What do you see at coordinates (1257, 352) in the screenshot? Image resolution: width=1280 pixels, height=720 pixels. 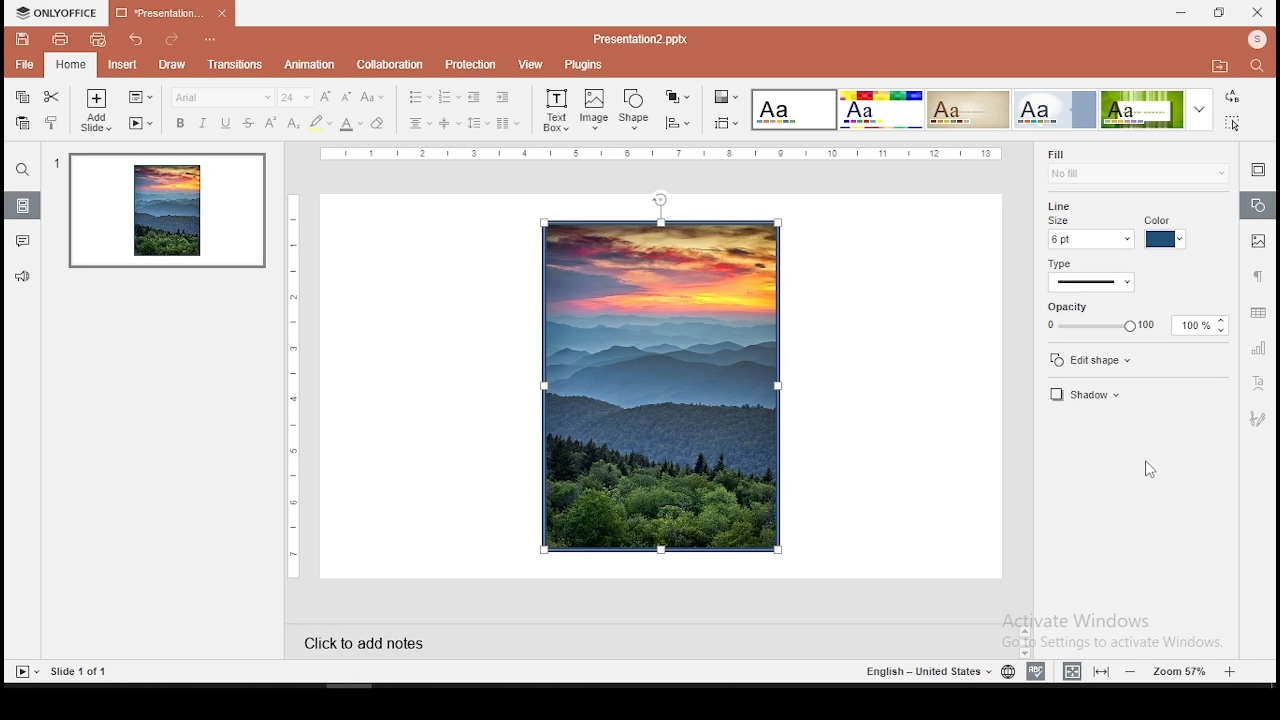 I see `chart settings` at bounding box center [1257, 352].